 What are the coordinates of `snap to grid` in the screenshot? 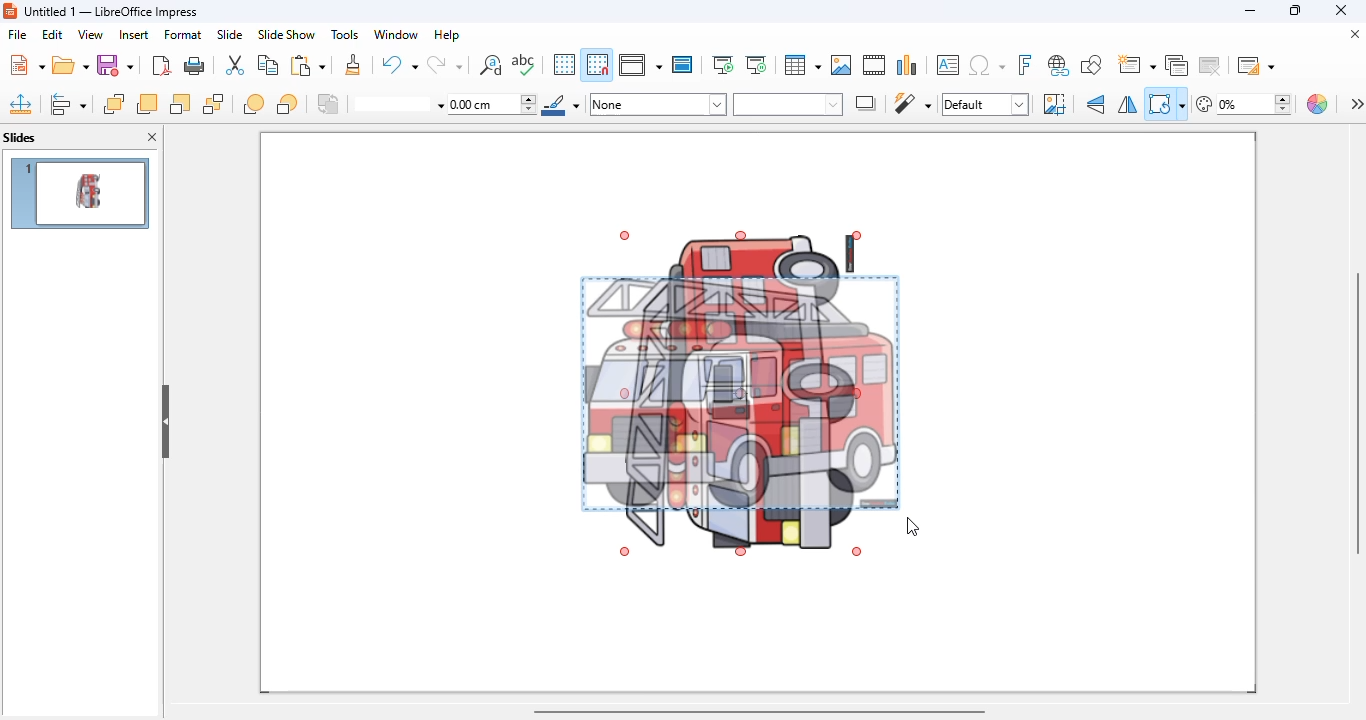 It's located at (598, 64).